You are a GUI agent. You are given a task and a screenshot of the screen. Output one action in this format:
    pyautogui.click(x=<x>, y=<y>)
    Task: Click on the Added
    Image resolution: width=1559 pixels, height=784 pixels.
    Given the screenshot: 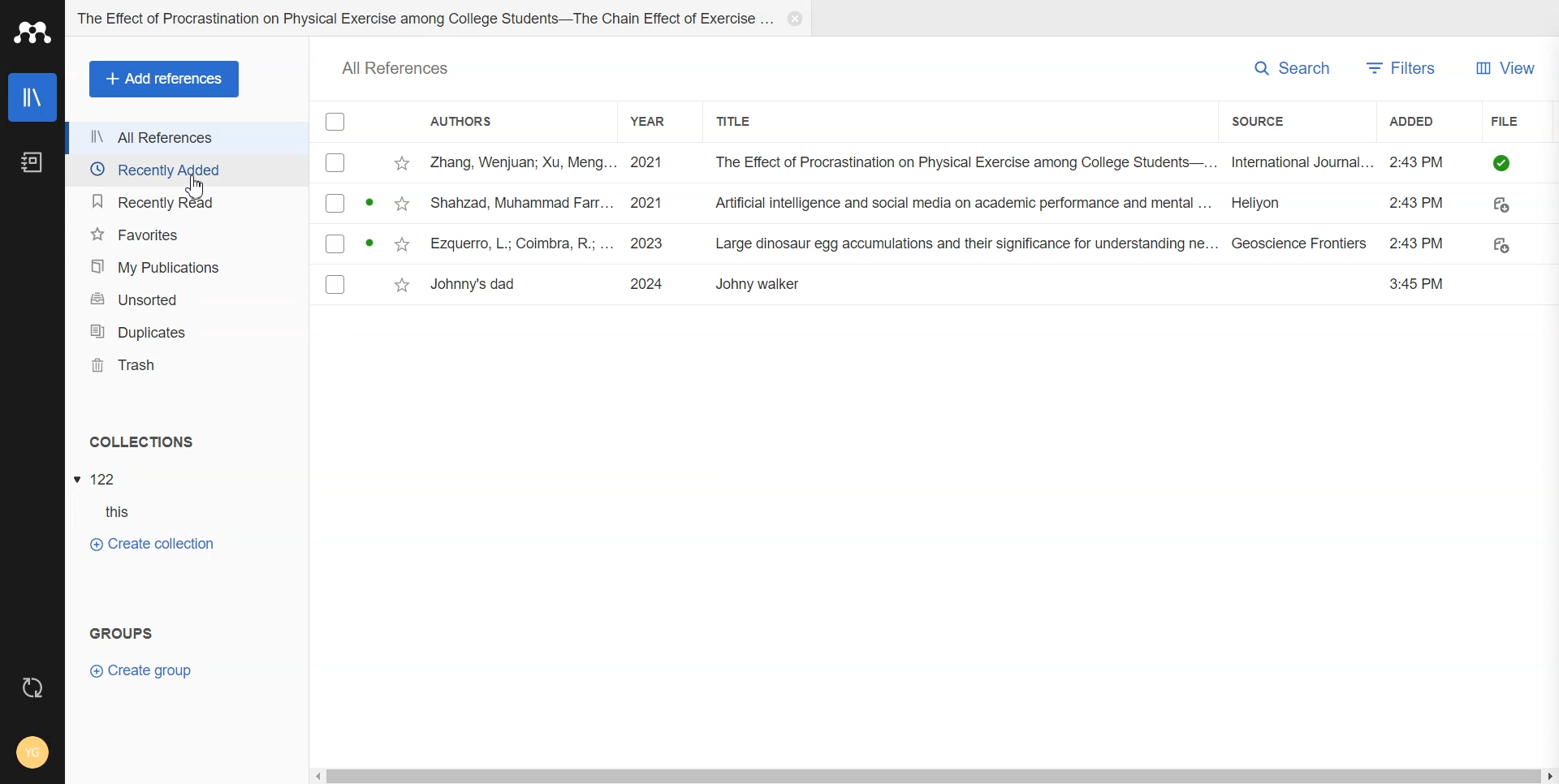 What is the action you would take?
    pyautogui.click(x=1430, y=123)
    